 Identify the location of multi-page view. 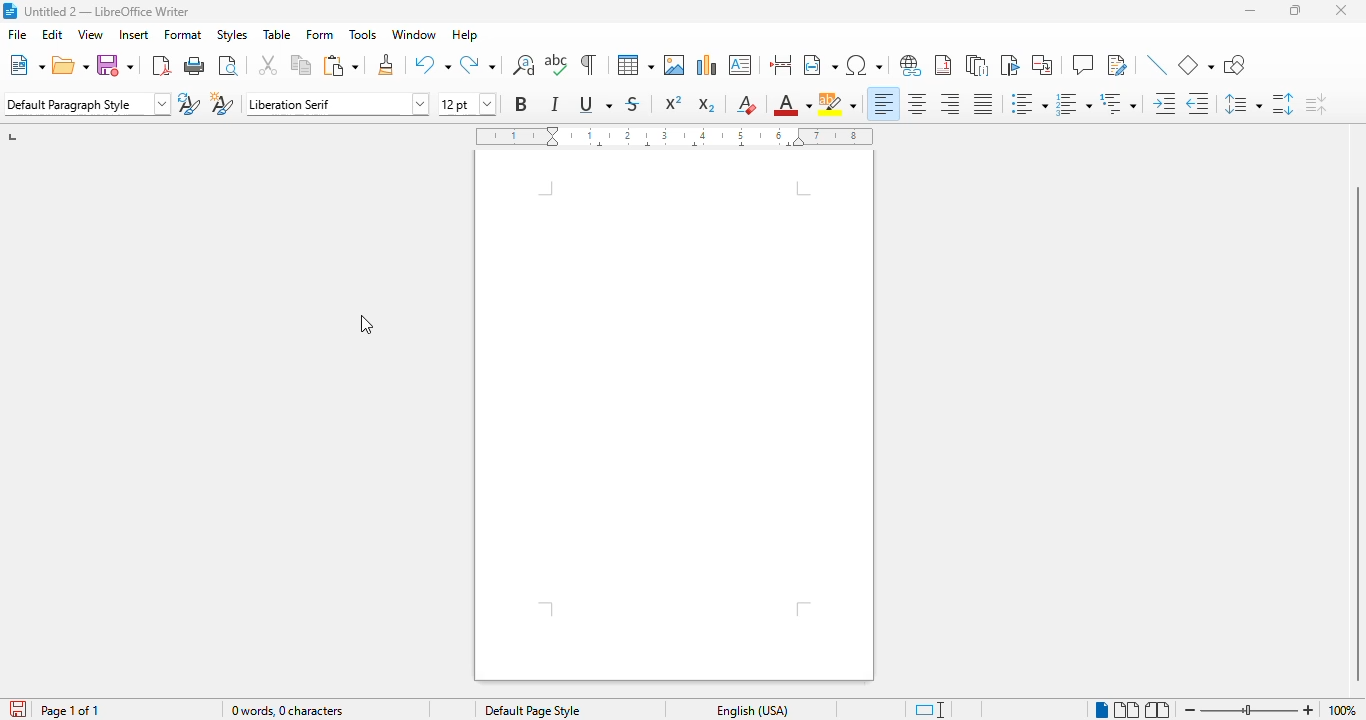
(1126, 710).